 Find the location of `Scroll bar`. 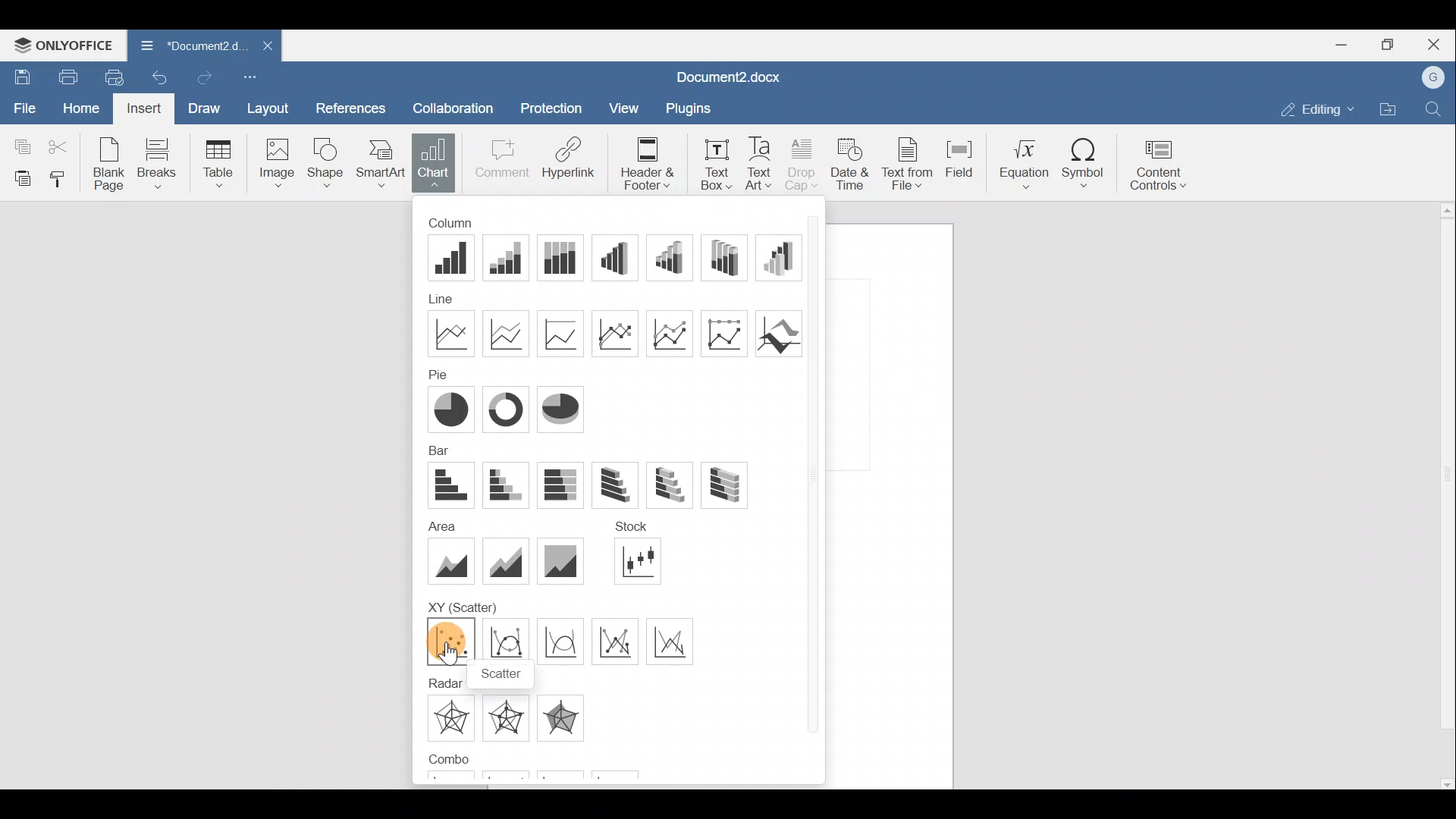

Scroll bar is located at coordinates (815, 493).